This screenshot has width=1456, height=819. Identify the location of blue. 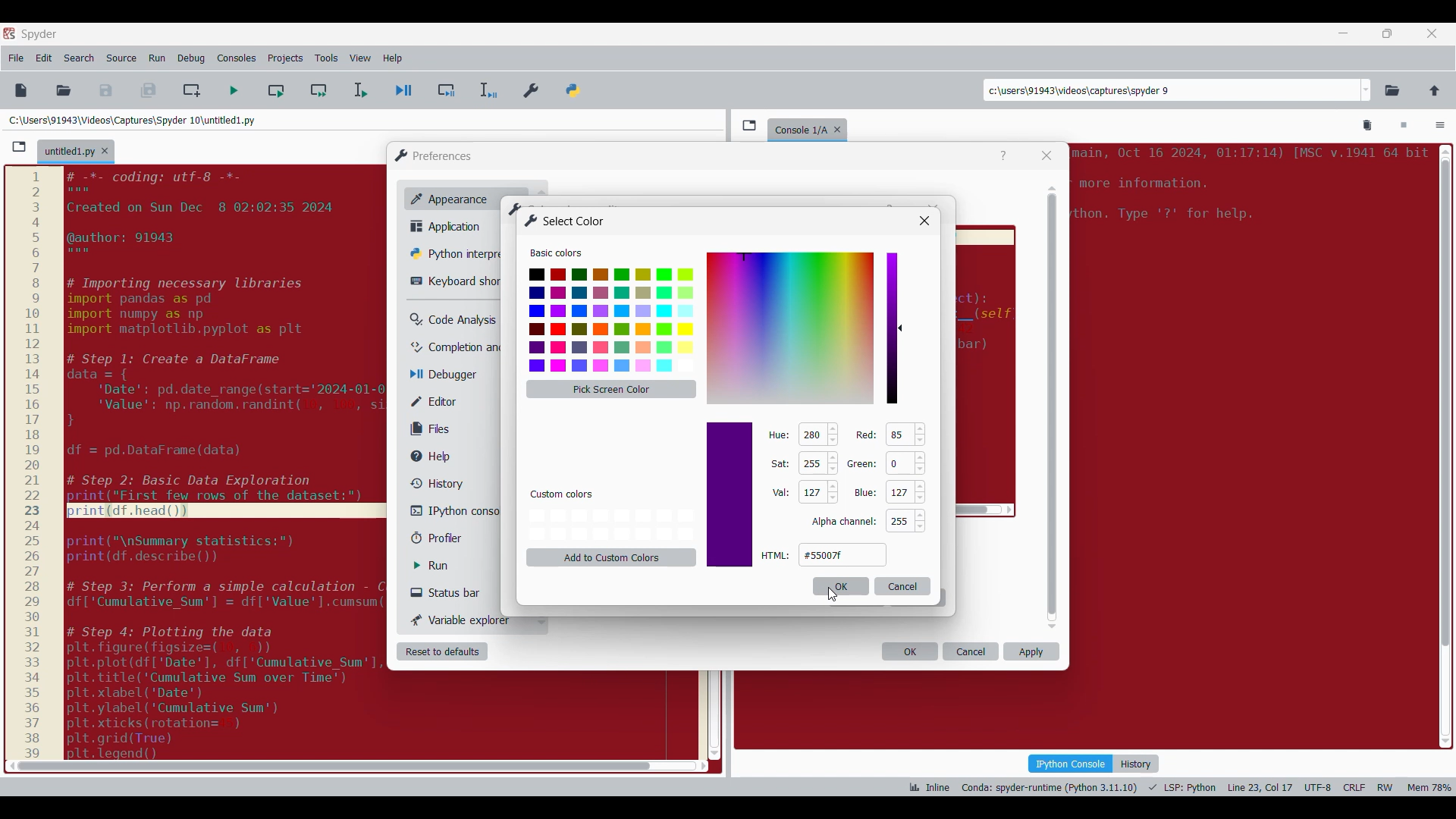
(864, 494).